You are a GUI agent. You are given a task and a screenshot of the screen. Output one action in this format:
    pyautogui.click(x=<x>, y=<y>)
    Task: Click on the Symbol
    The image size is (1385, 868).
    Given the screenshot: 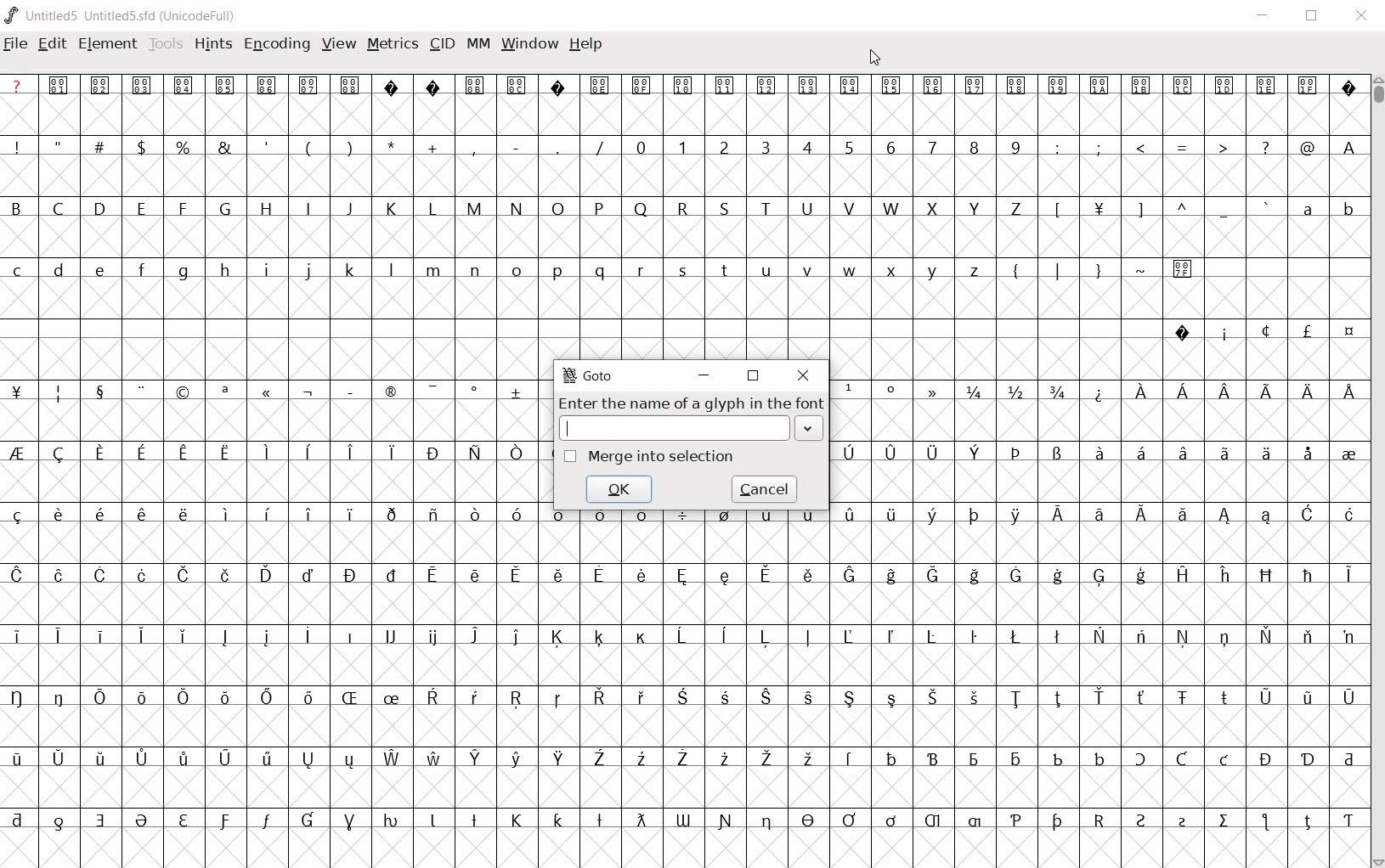 What is the action you would take?
    pyautogui.click(x=223, y=637)
    